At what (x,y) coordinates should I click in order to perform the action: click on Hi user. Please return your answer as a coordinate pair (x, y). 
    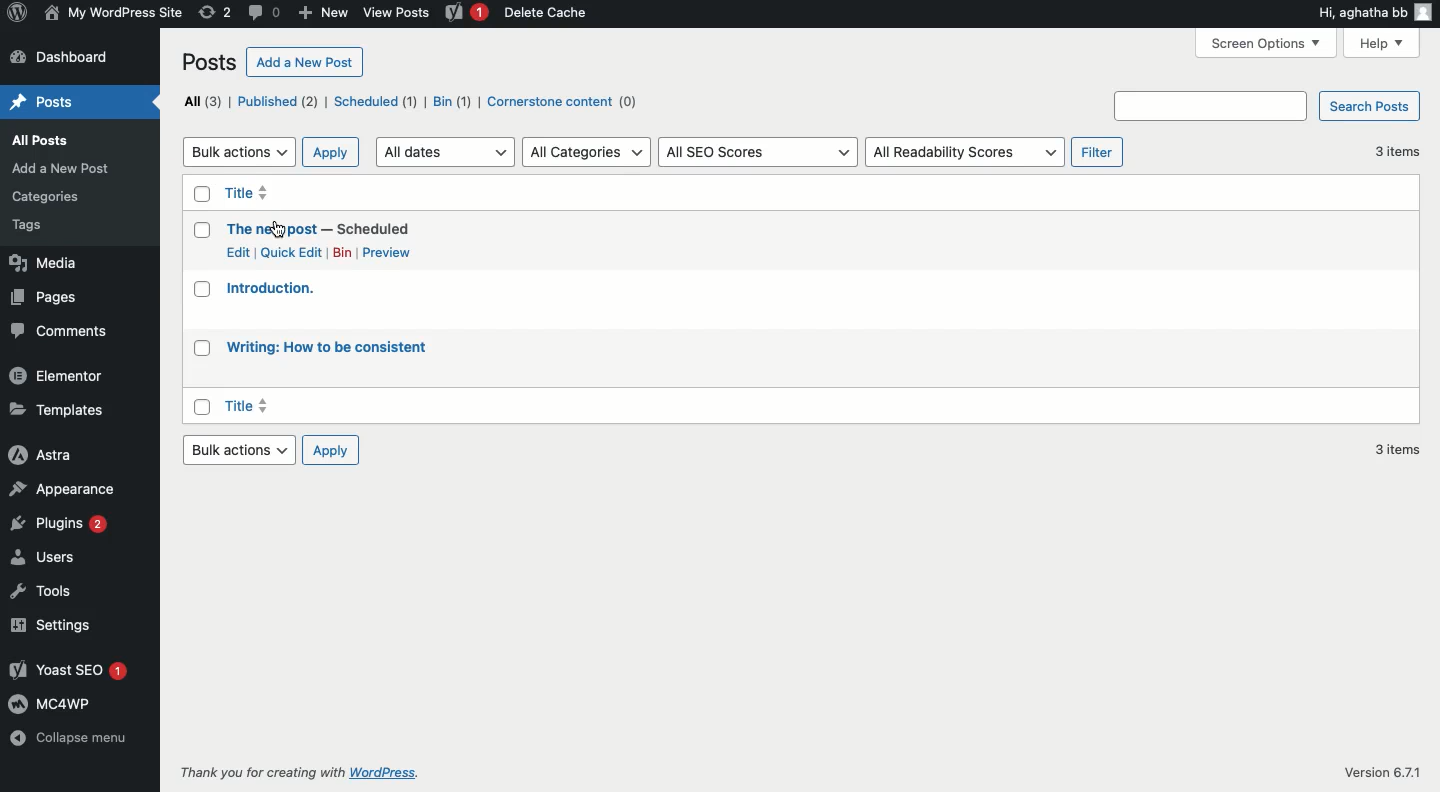
    Looking at the image, I should click on (1376, 14).